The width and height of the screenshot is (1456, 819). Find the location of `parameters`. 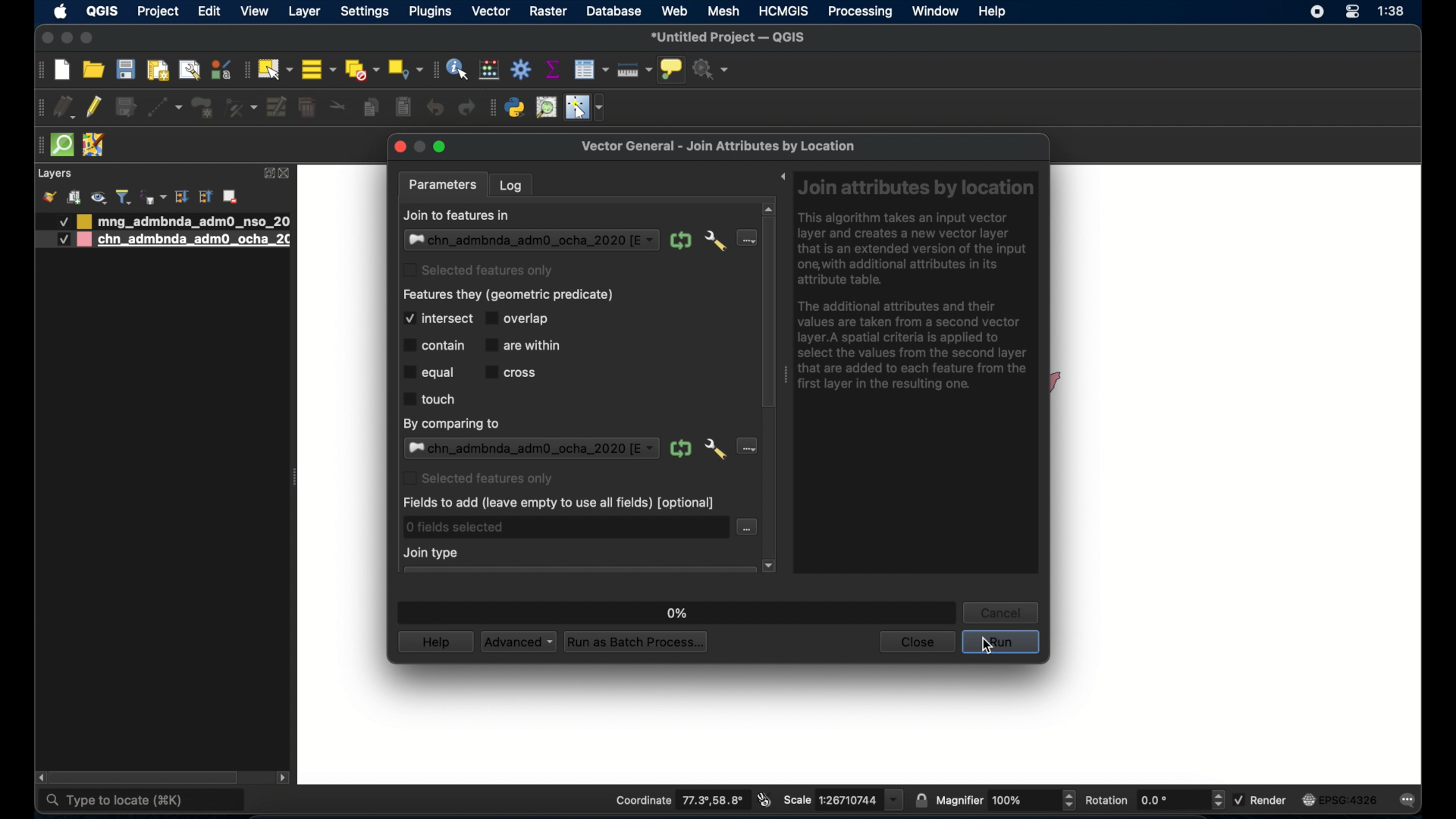

parameters is located at coordinates (445, 185).